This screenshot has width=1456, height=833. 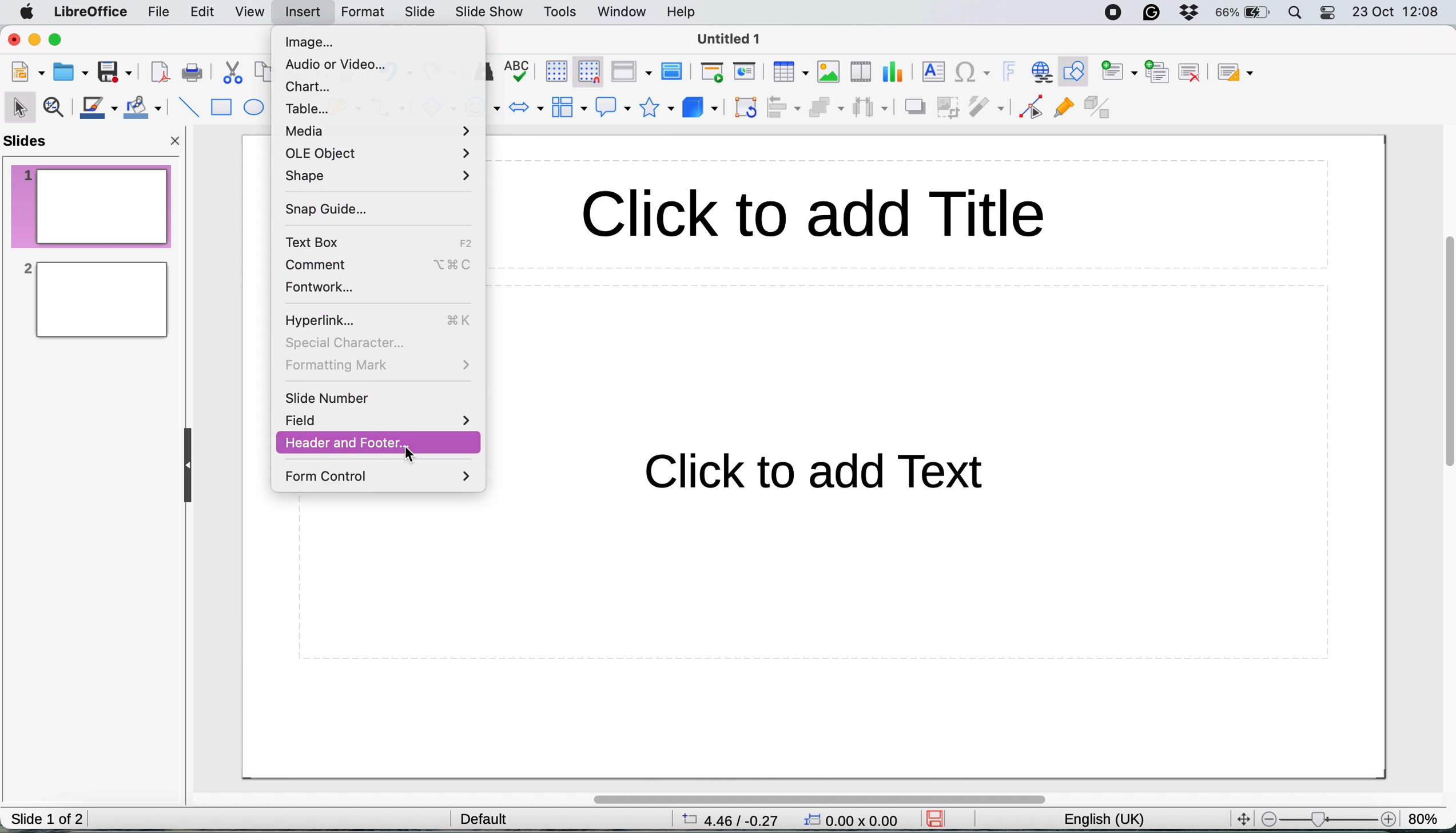 I want to click on start from first slide, so click(x=712, y=73).